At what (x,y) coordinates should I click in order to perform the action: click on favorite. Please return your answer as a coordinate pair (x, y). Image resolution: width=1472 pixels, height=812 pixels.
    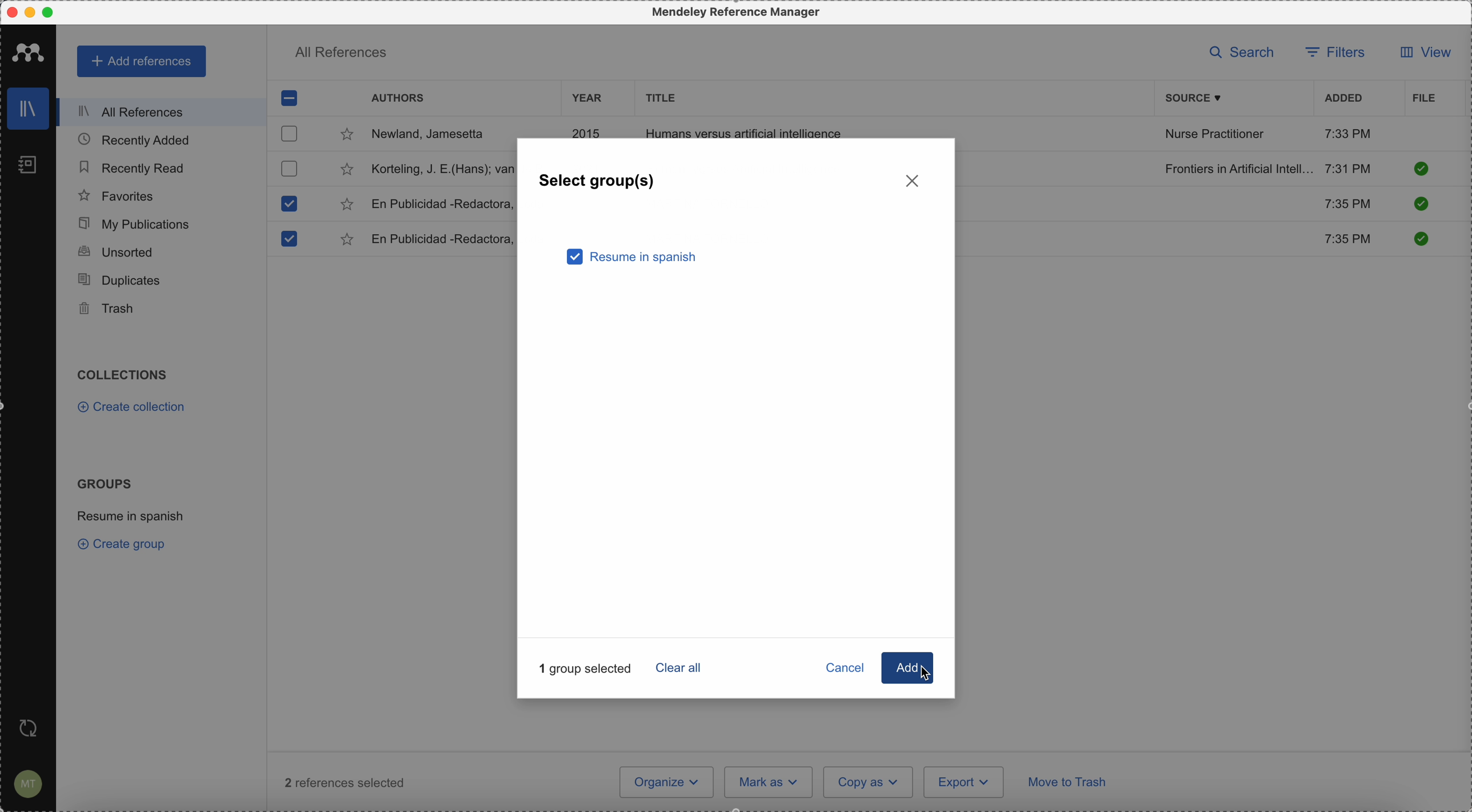
    Looking at the image, I should click on (349, 241).